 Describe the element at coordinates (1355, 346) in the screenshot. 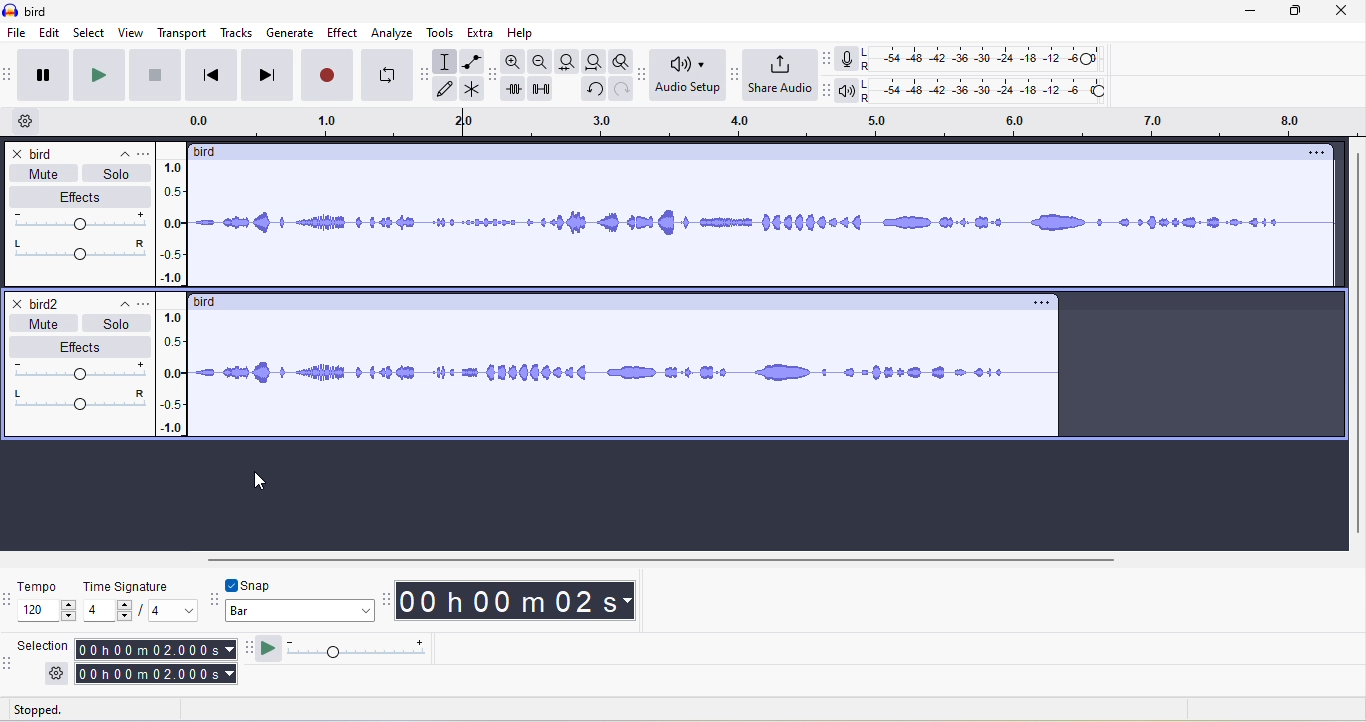

I see `vertical scroll bar` at that location.